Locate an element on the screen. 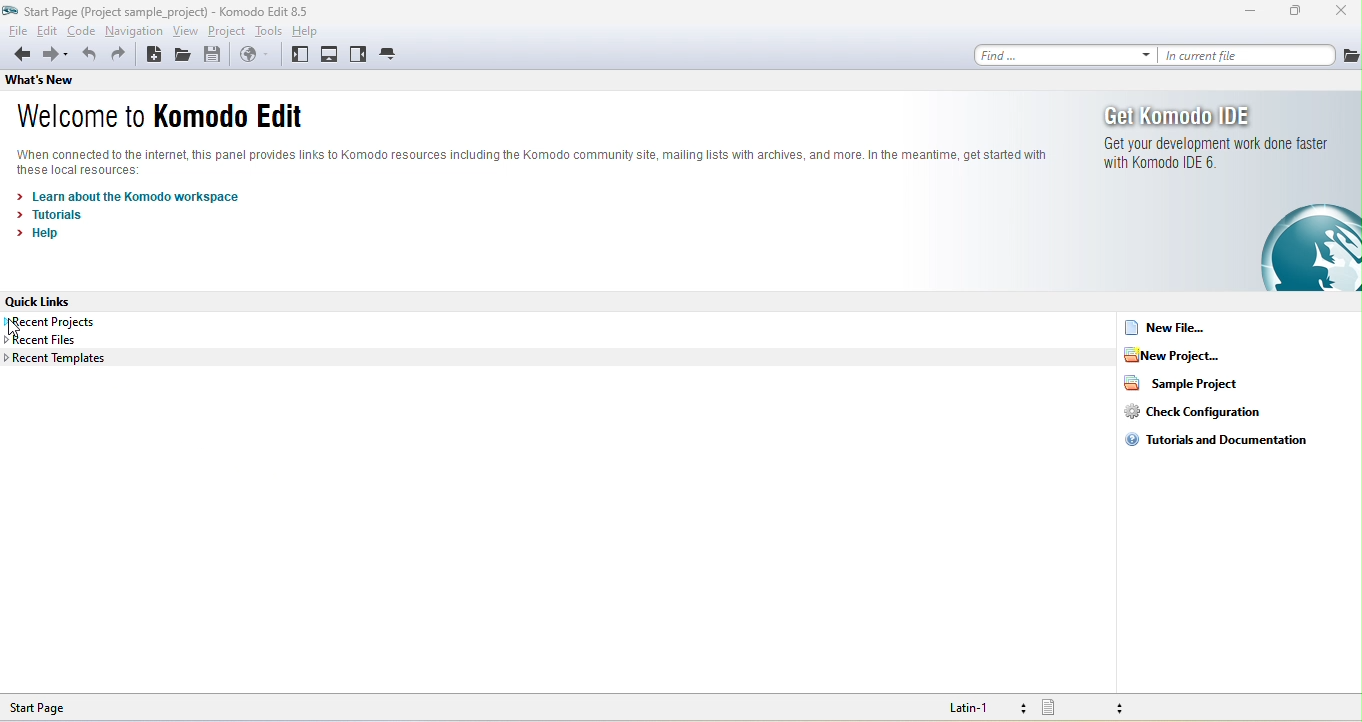 This screenshot has height=722, width=1362. recent file is located at coordinates (66, 338).